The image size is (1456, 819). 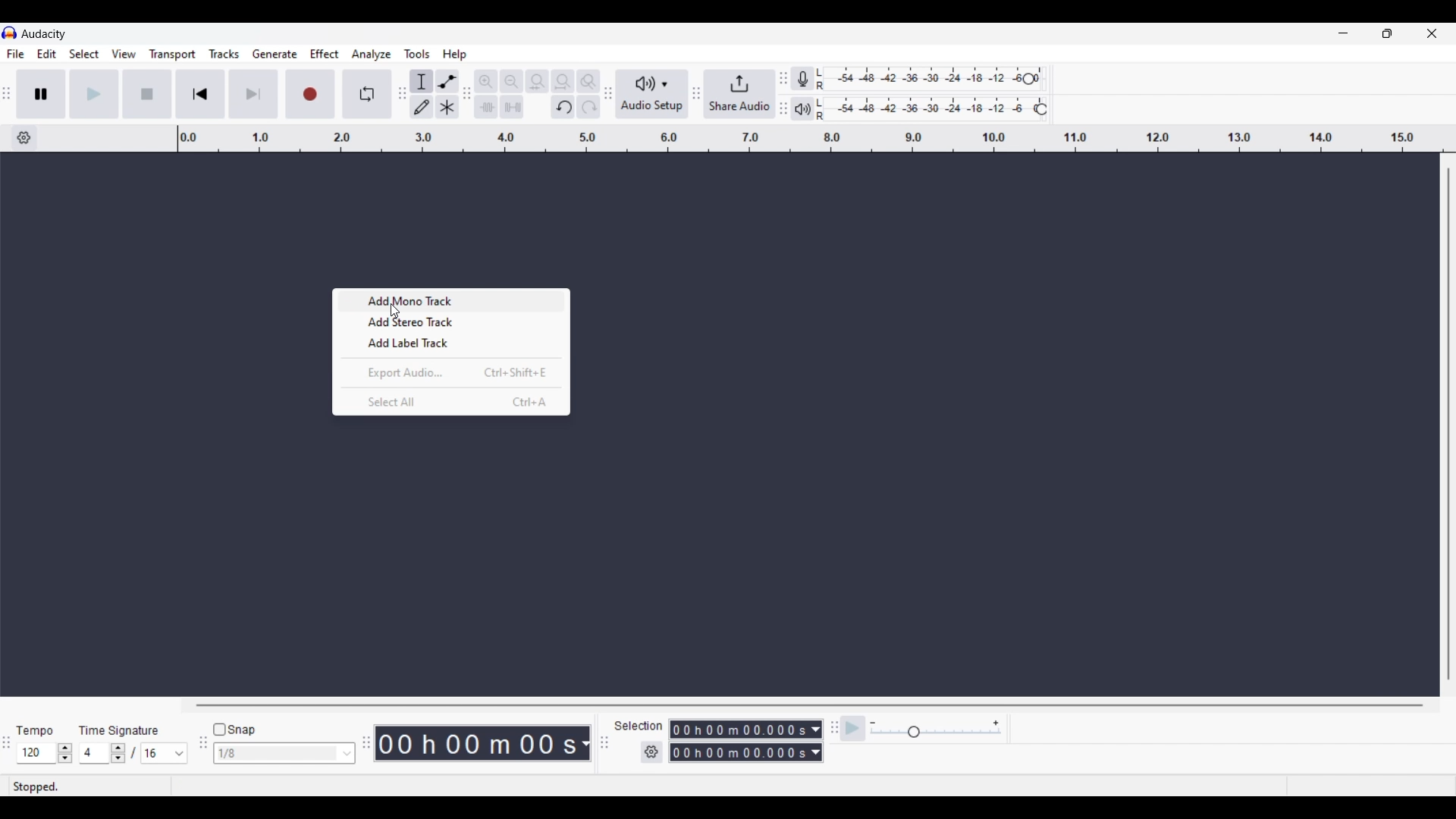 I want to click on Share audio, so click(x=739, y=94).